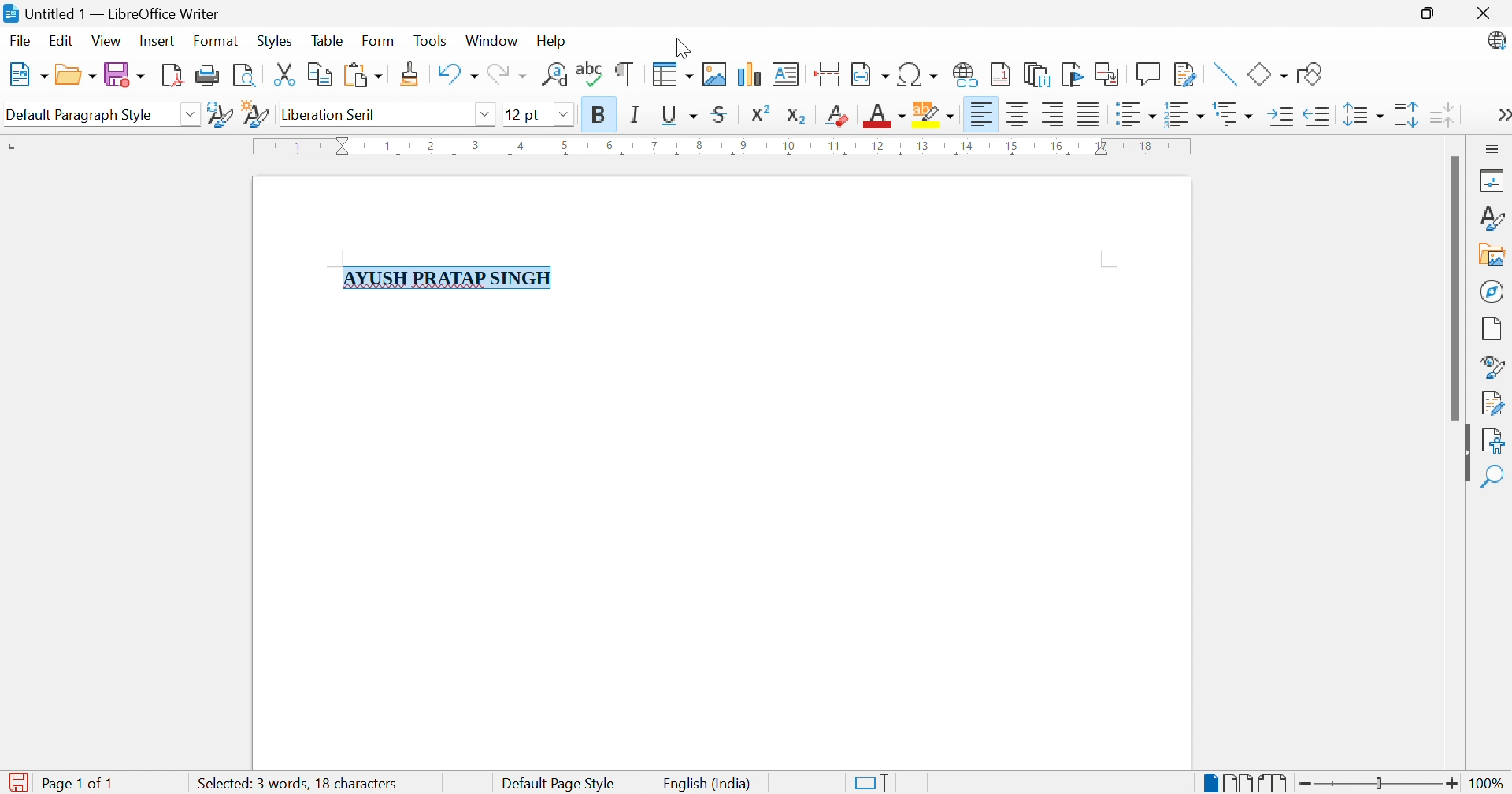 This screenshot has height=794, width=1512. I want to click on Format, so click(215, 40).